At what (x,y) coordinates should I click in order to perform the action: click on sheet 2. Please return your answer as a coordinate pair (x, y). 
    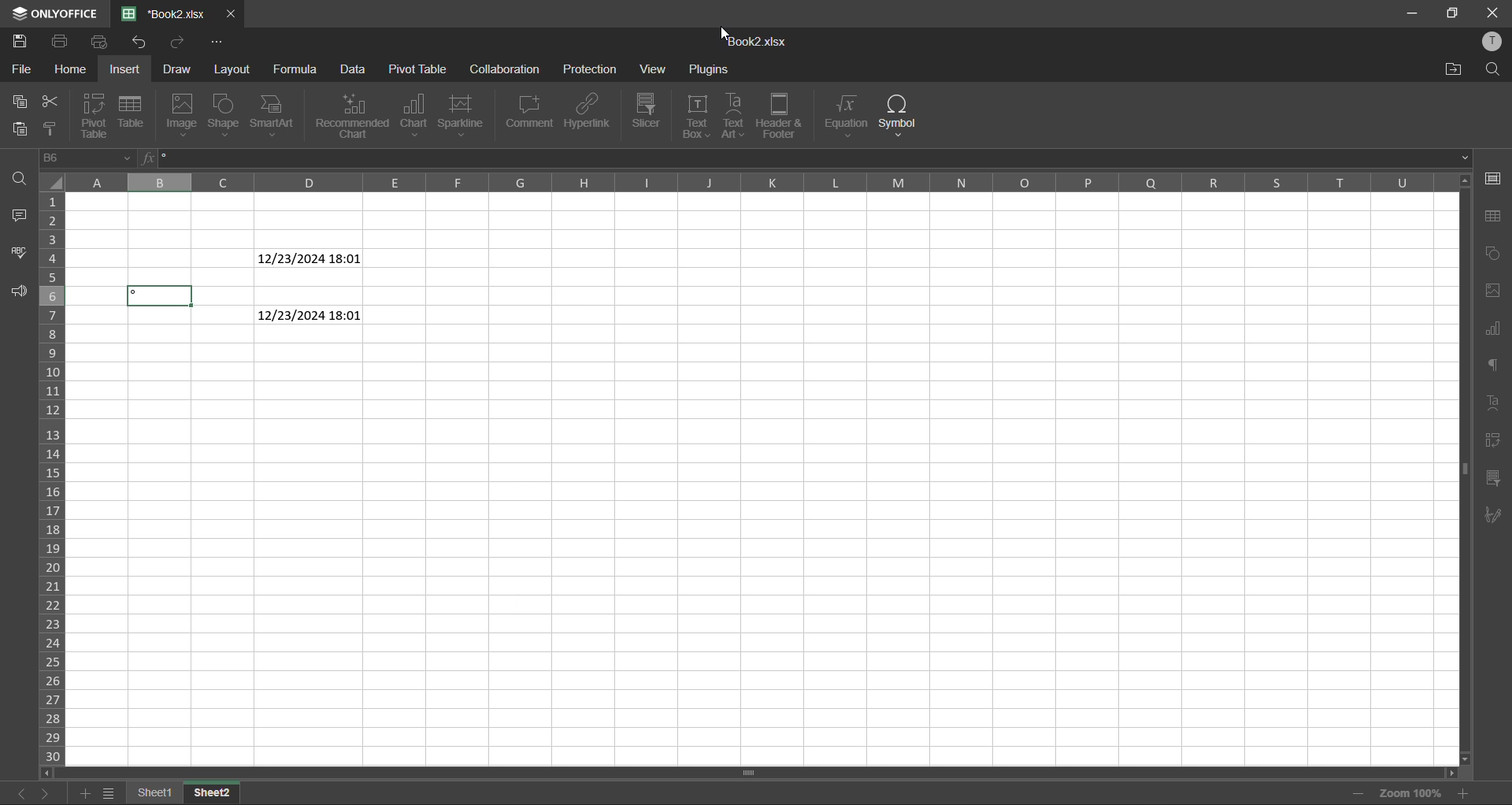
    Looking at the image, I should click on (213, 793).